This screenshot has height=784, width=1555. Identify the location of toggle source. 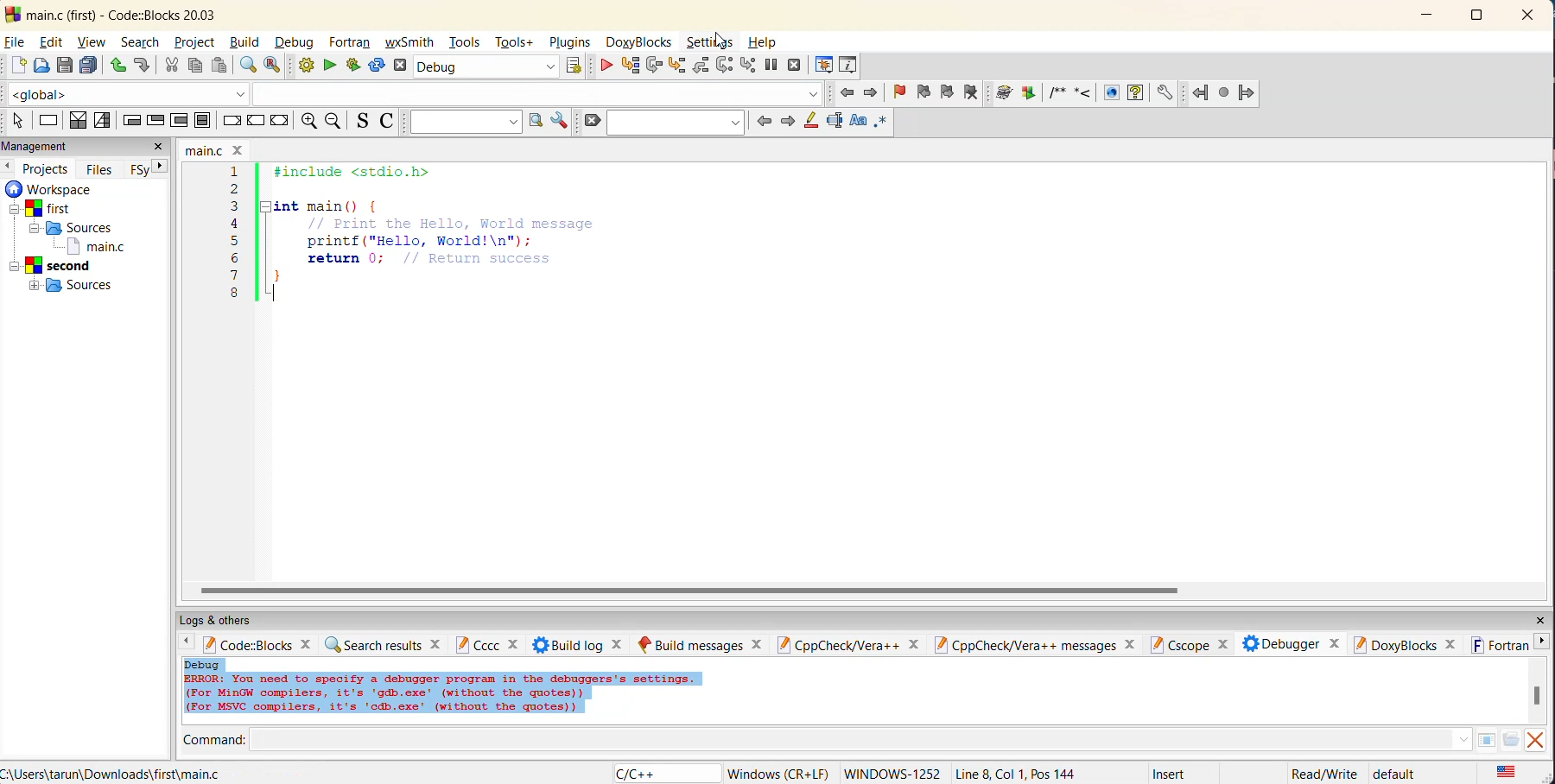
(361, 122).